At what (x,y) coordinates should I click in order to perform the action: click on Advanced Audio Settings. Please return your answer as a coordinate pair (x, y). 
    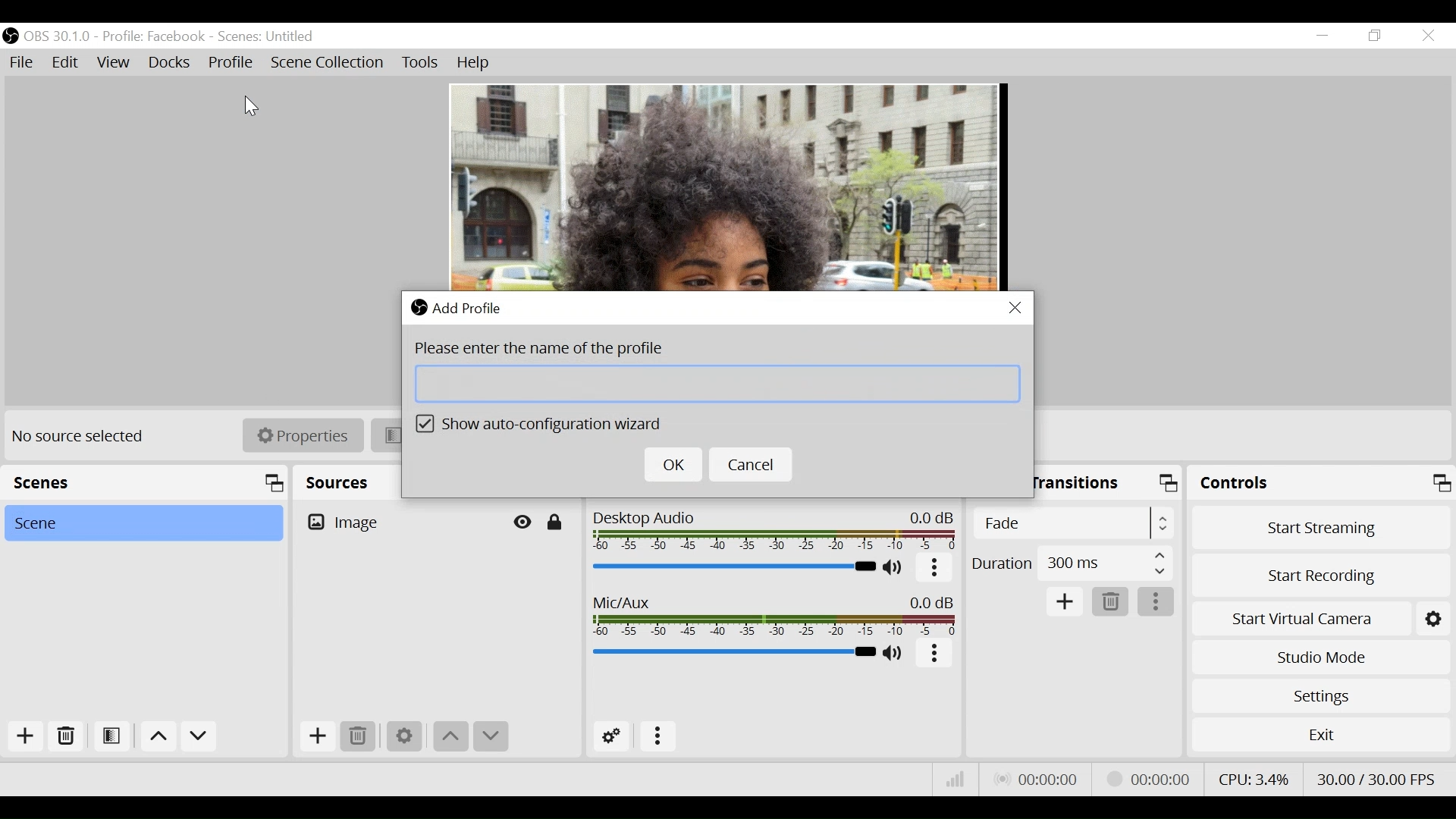
    Looking at the image, I should click on (613, 736).